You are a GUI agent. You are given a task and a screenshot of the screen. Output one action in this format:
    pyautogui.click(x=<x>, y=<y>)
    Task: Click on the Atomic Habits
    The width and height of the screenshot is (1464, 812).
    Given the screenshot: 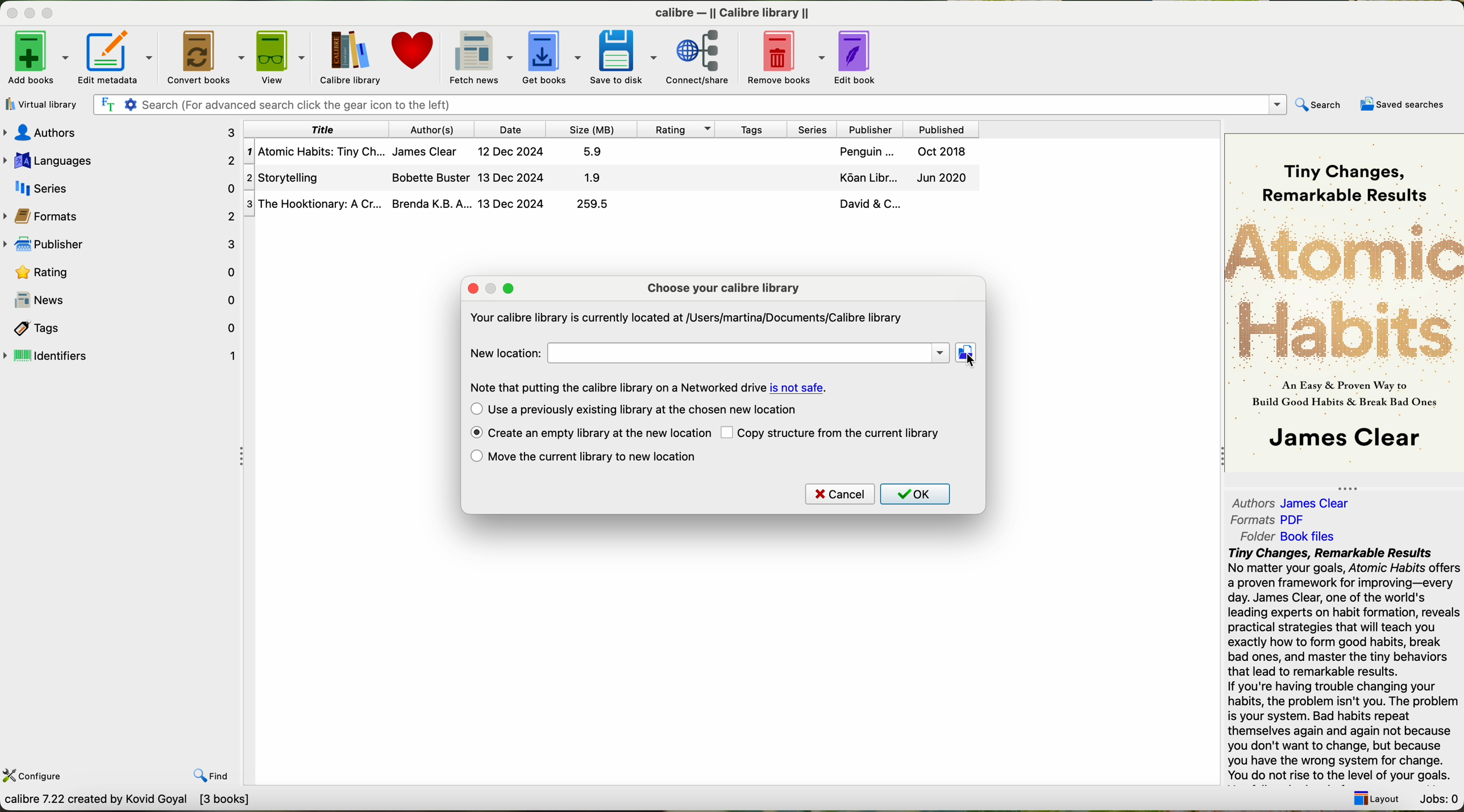 What is the action you would take?
    pyautogui.click(x=1345, y=289)
    